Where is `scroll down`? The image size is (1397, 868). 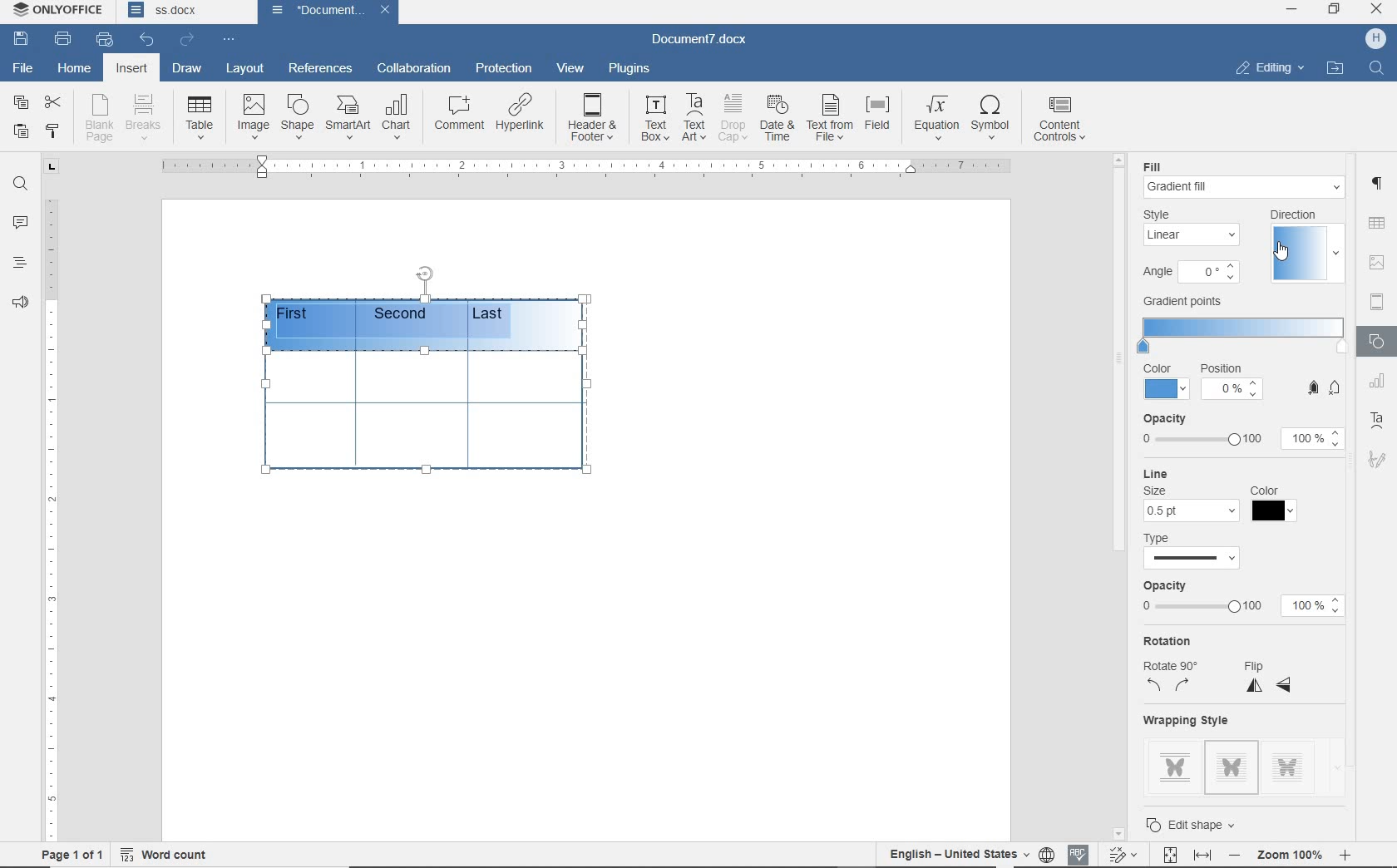
scroll down is located at coordinates (1118, 832).